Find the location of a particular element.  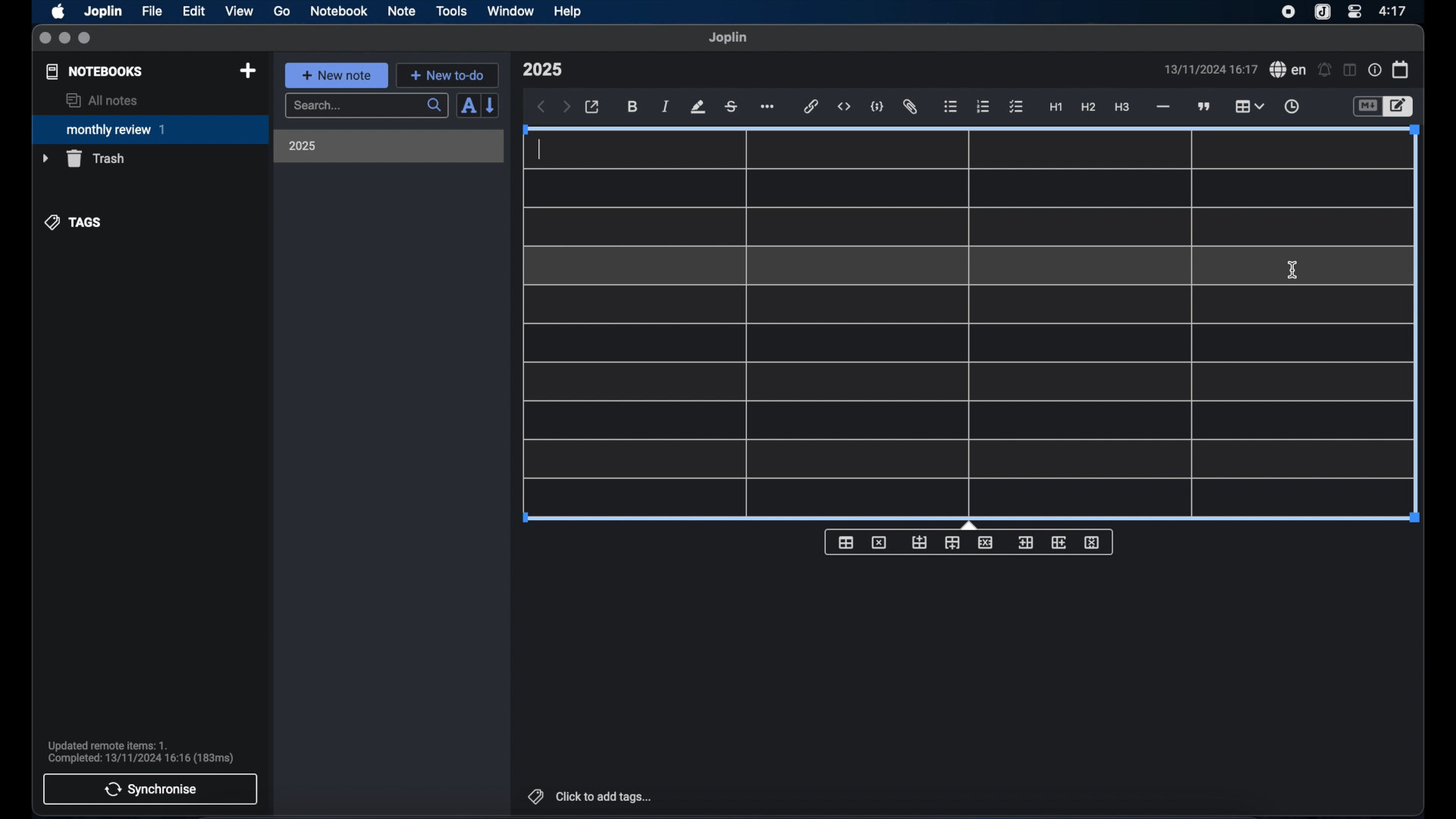

notebook is located at coordinates (339, 11).